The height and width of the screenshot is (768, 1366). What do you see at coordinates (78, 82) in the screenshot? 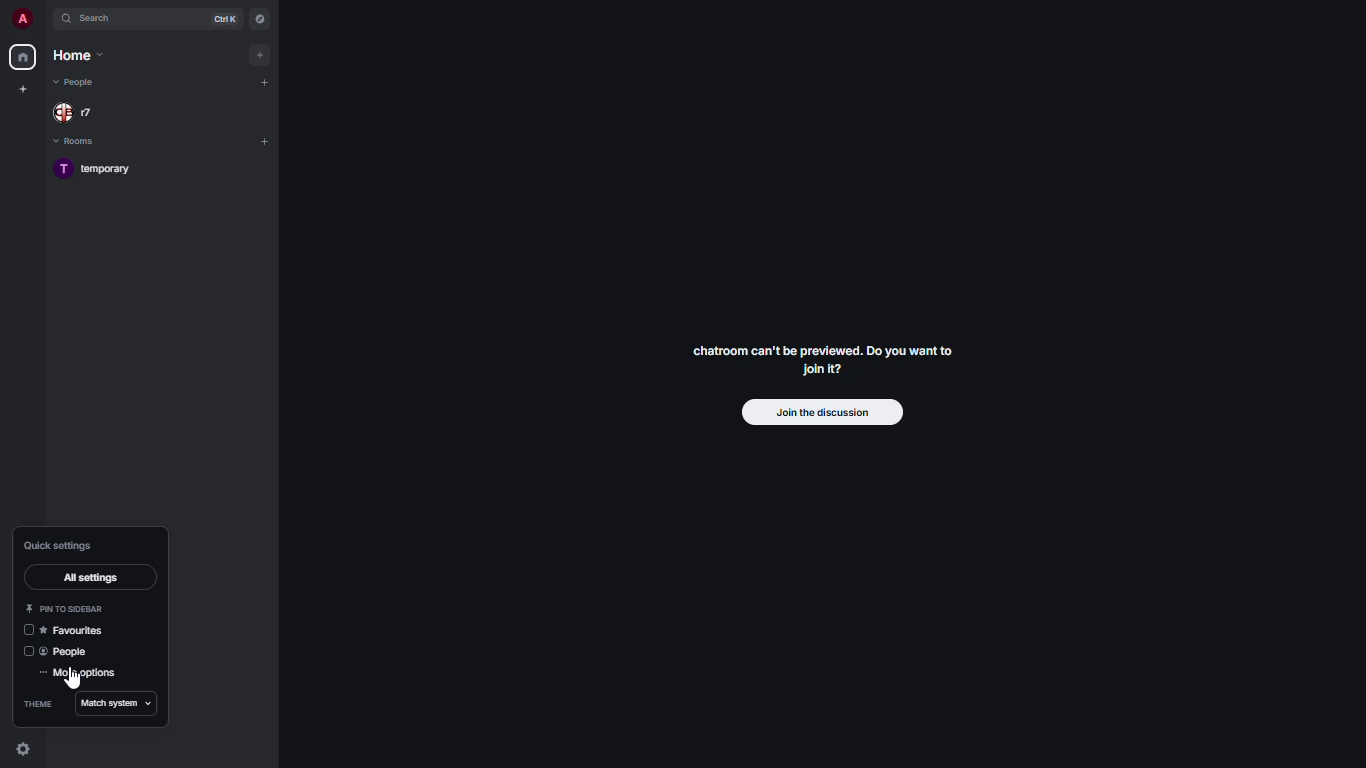
I see `people` at bounding box center [78, 82].